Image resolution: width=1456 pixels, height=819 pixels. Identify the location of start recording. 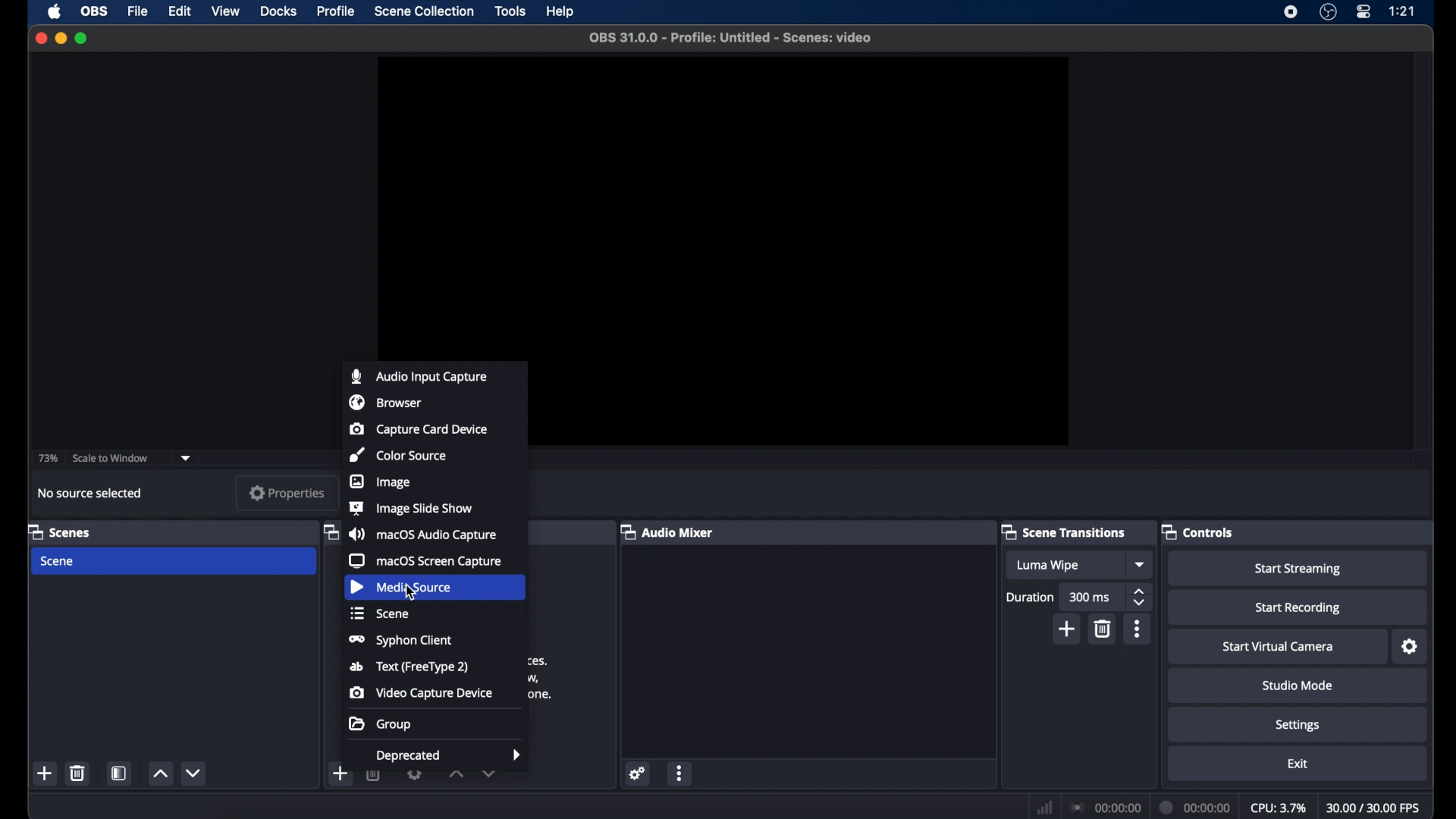
(1300, 607).